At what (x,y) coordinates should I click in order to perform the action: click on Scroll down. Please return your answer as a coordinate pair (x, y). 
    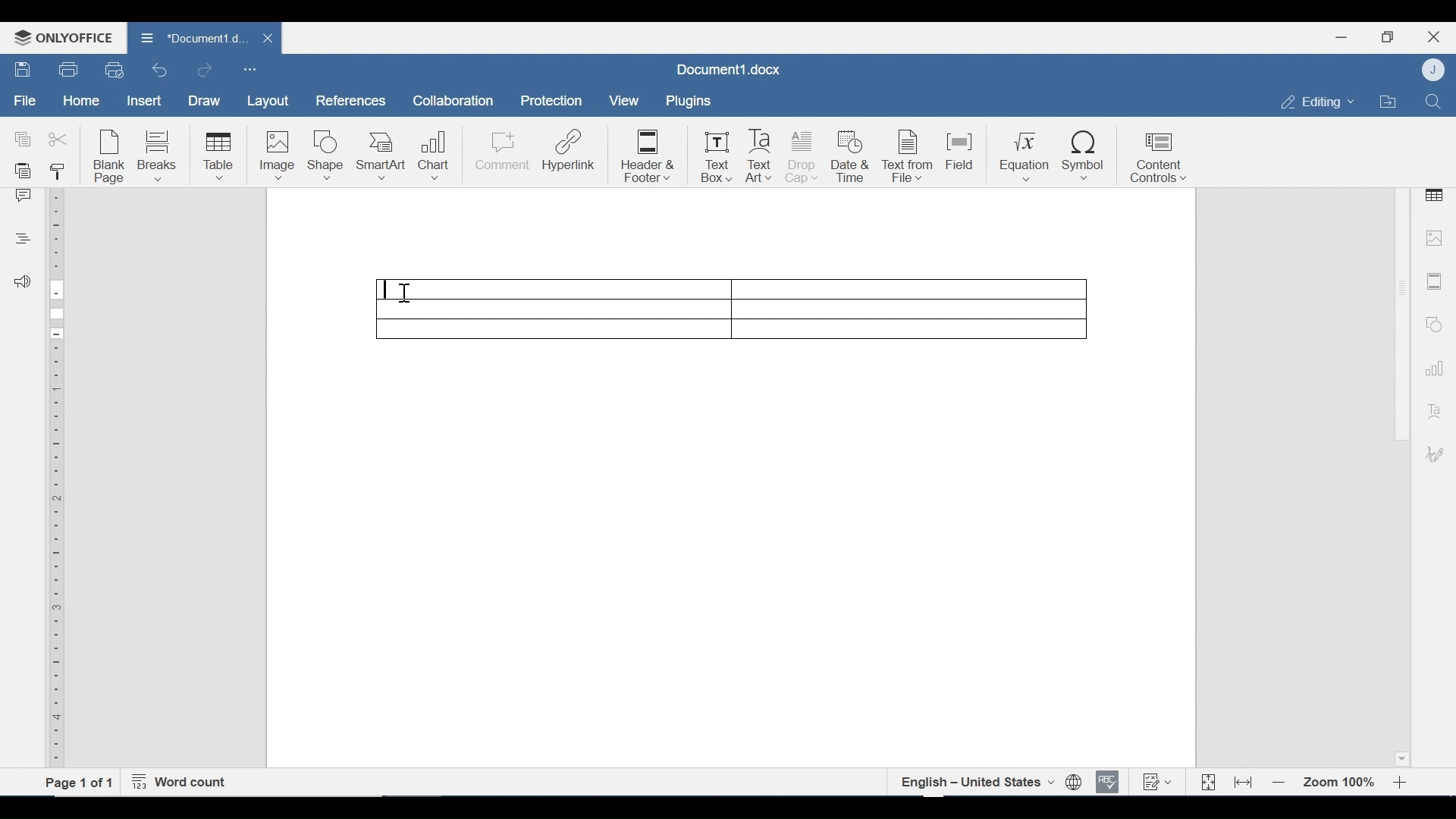
    Looking at the image, I should click on (1401, 757).